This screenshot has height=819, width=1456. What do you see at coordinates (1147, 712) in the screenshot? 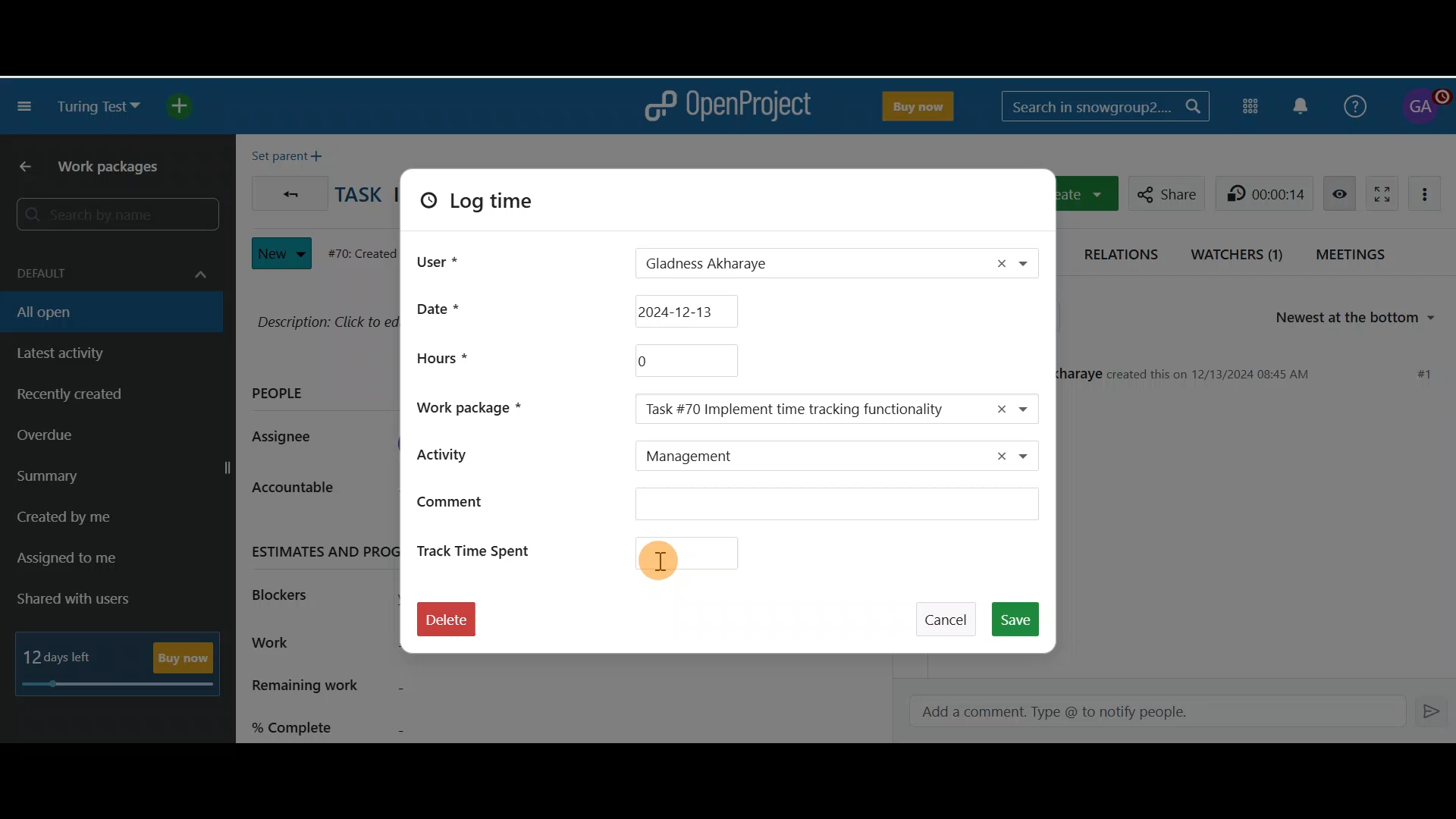
I see `Add a comment. Type @ to notify people.` at bounding box center [1147, 712].